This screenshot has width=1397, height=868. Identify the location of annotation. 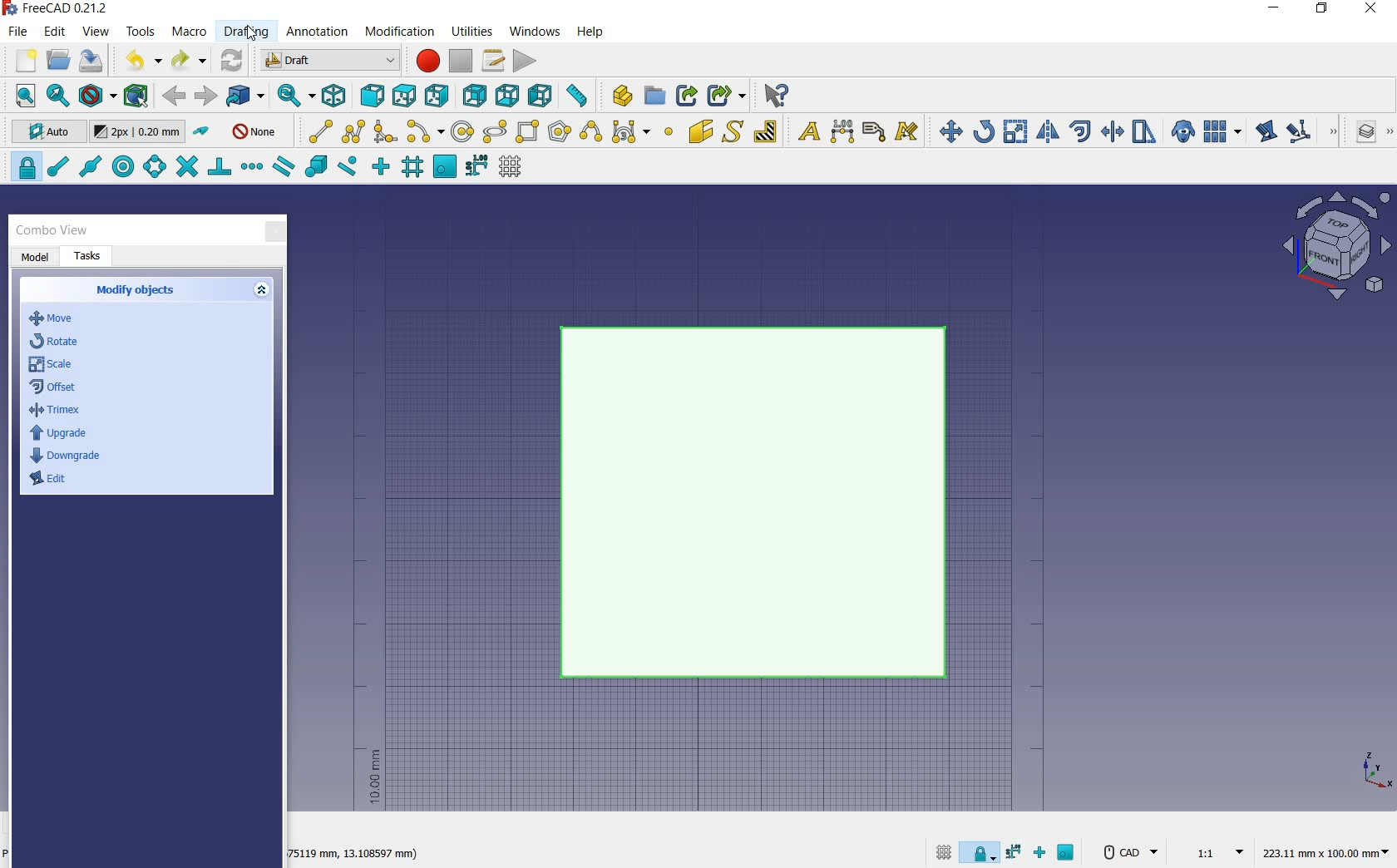
(318, 33).